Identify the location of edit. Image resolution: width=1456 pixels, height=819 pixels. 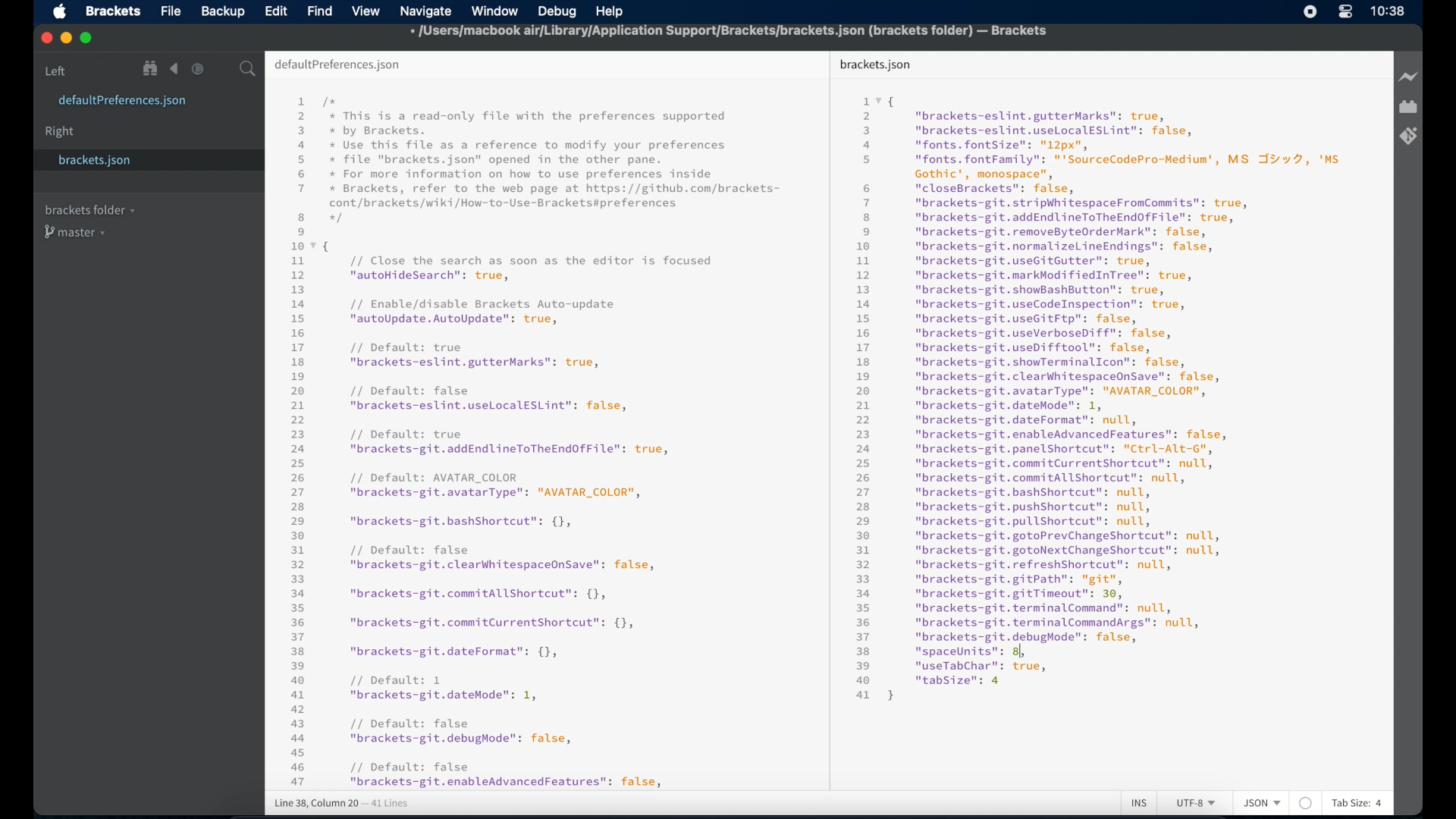
(275, 11).